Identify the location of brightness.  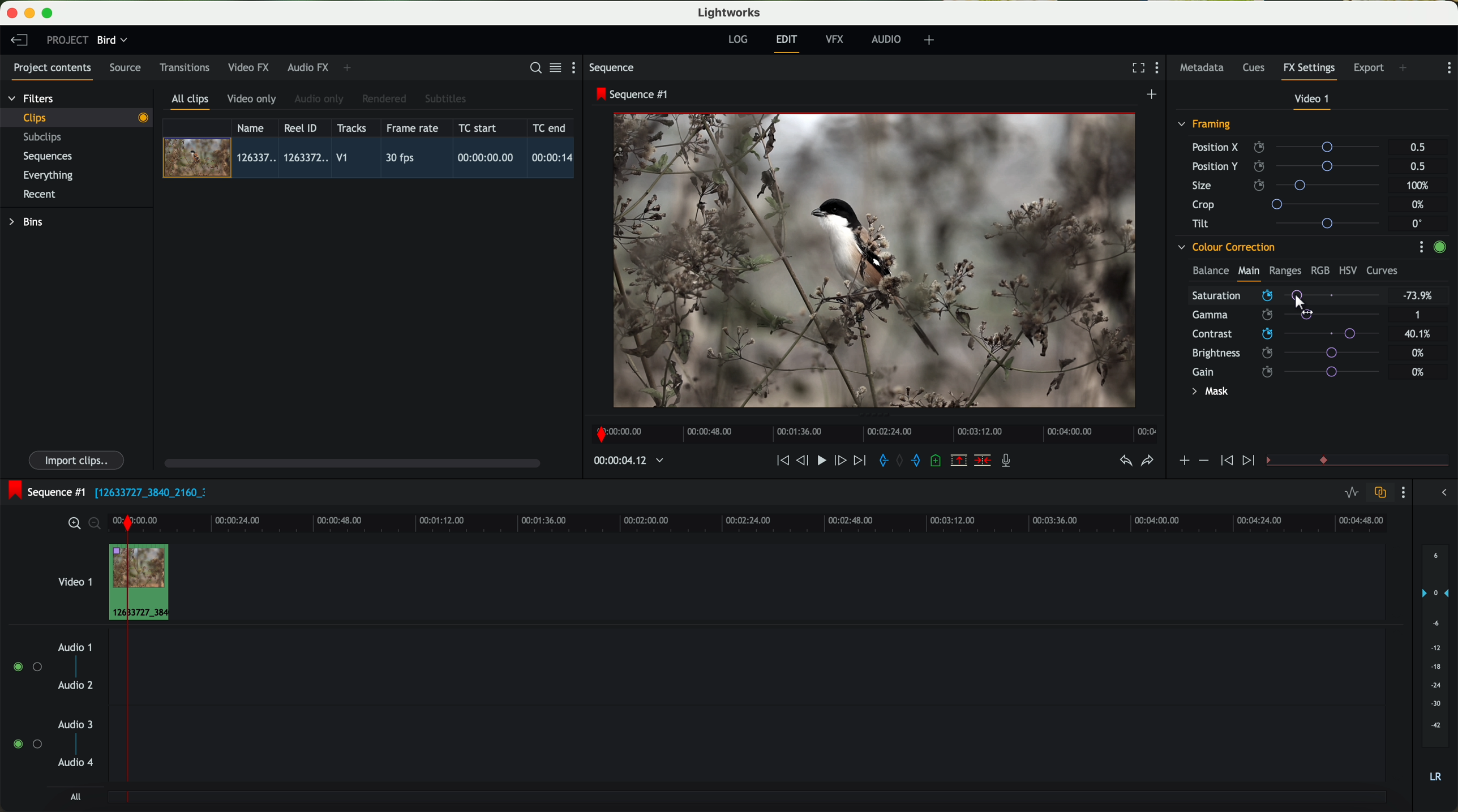
(1293, 353).